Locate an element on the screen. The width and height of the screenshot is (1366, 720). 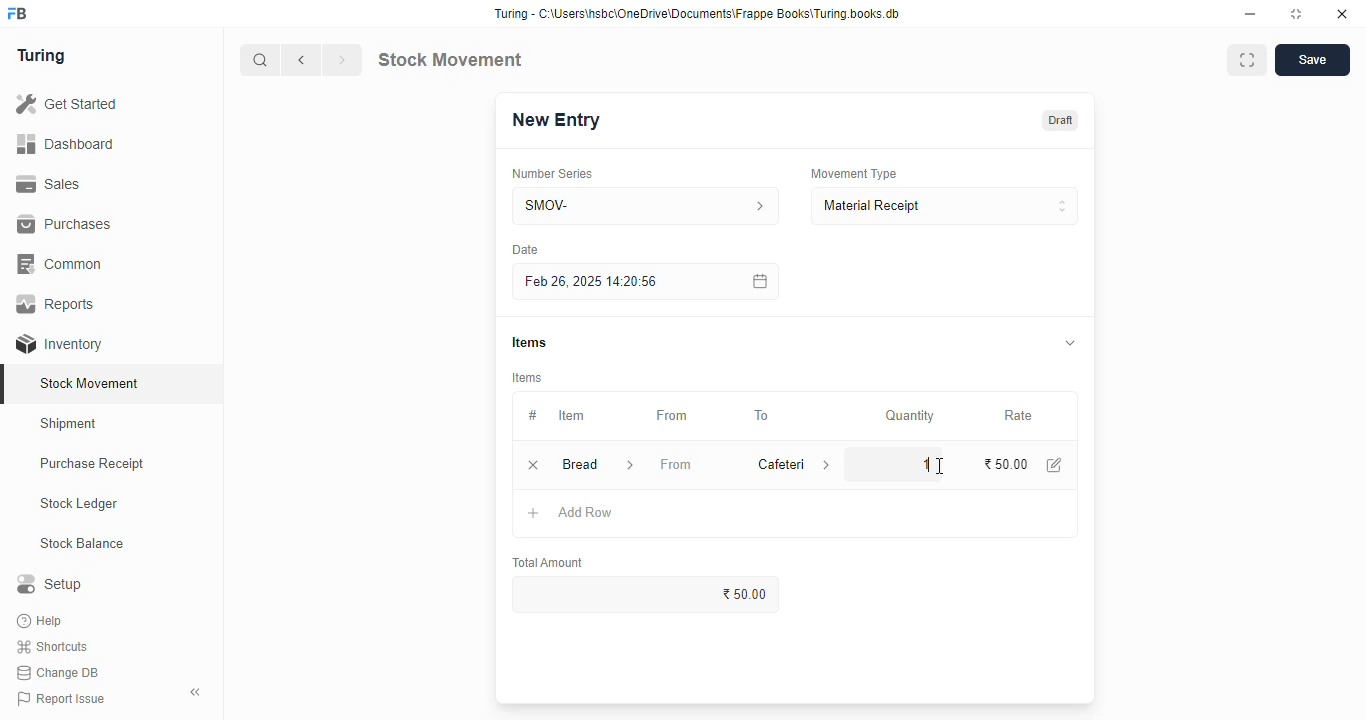
number series is located at coordinates (551, 174).